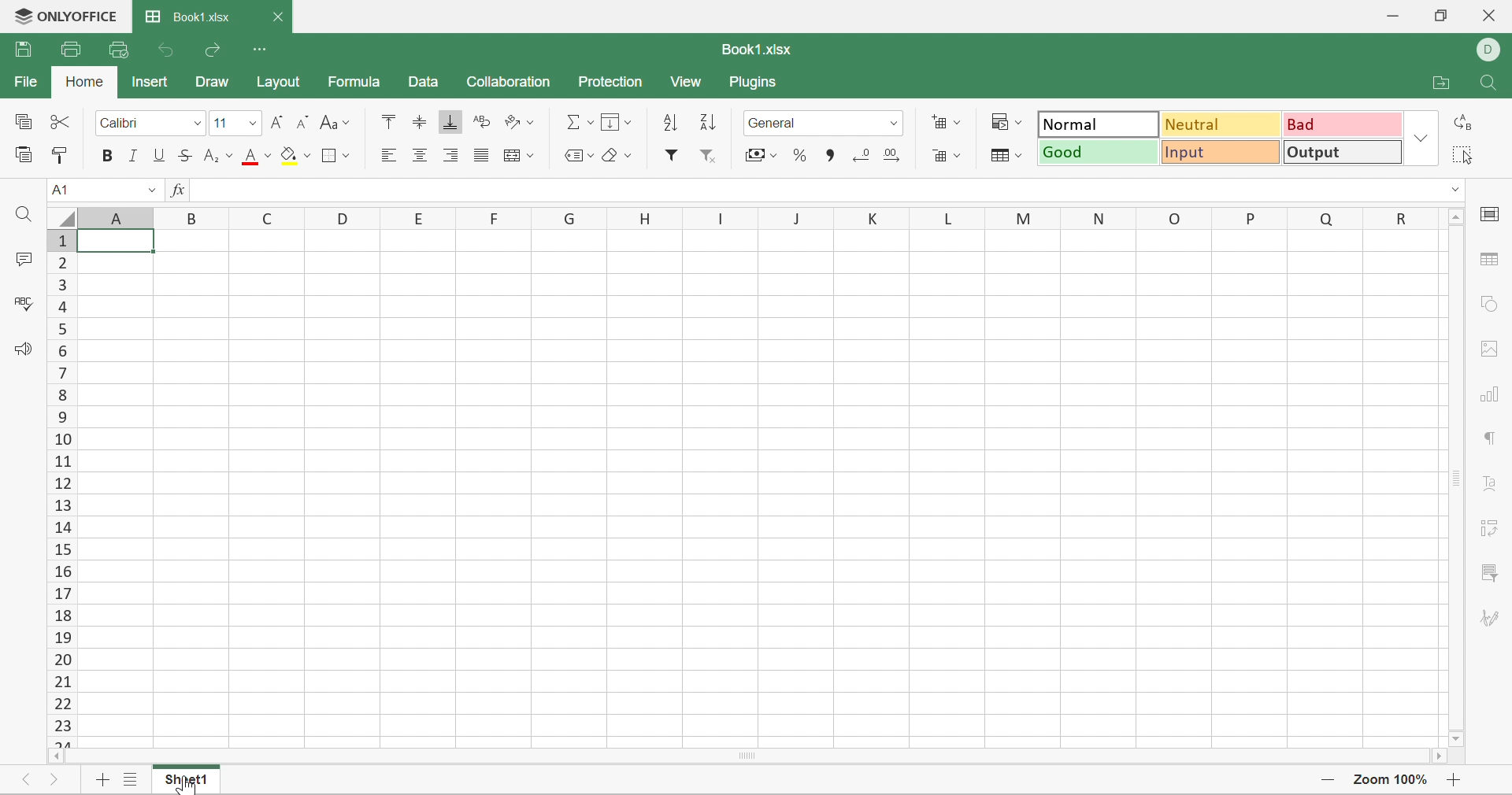 This screenshot has height=795, width=1512. Describe the element at coordinates (1461, 124) in the screenshot. I see `Replace` at that location.